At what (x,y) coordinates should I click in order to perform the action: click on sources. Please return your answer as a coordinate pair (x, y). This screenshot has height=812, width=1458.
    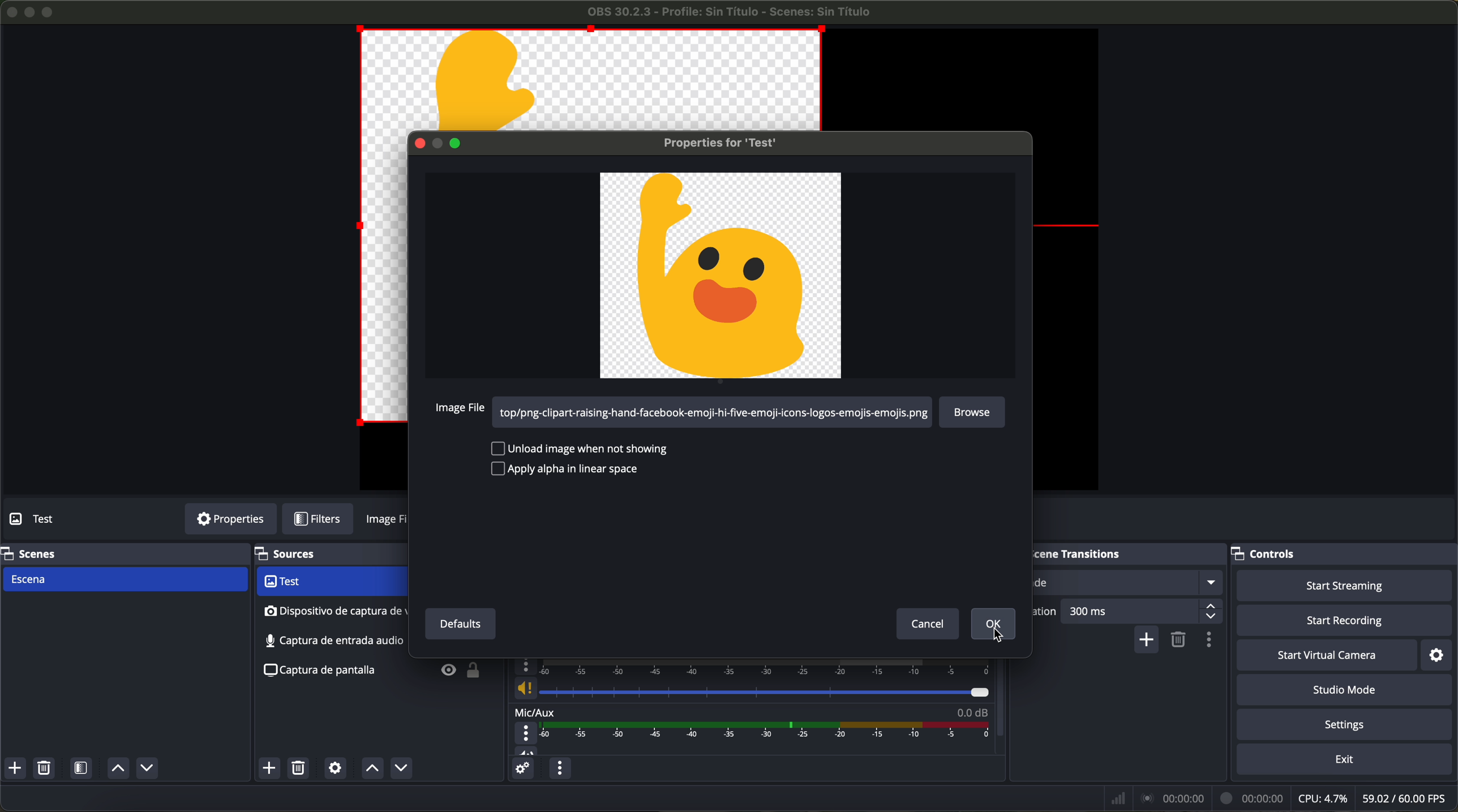
    Looking at the image, I should click on (300, 555).